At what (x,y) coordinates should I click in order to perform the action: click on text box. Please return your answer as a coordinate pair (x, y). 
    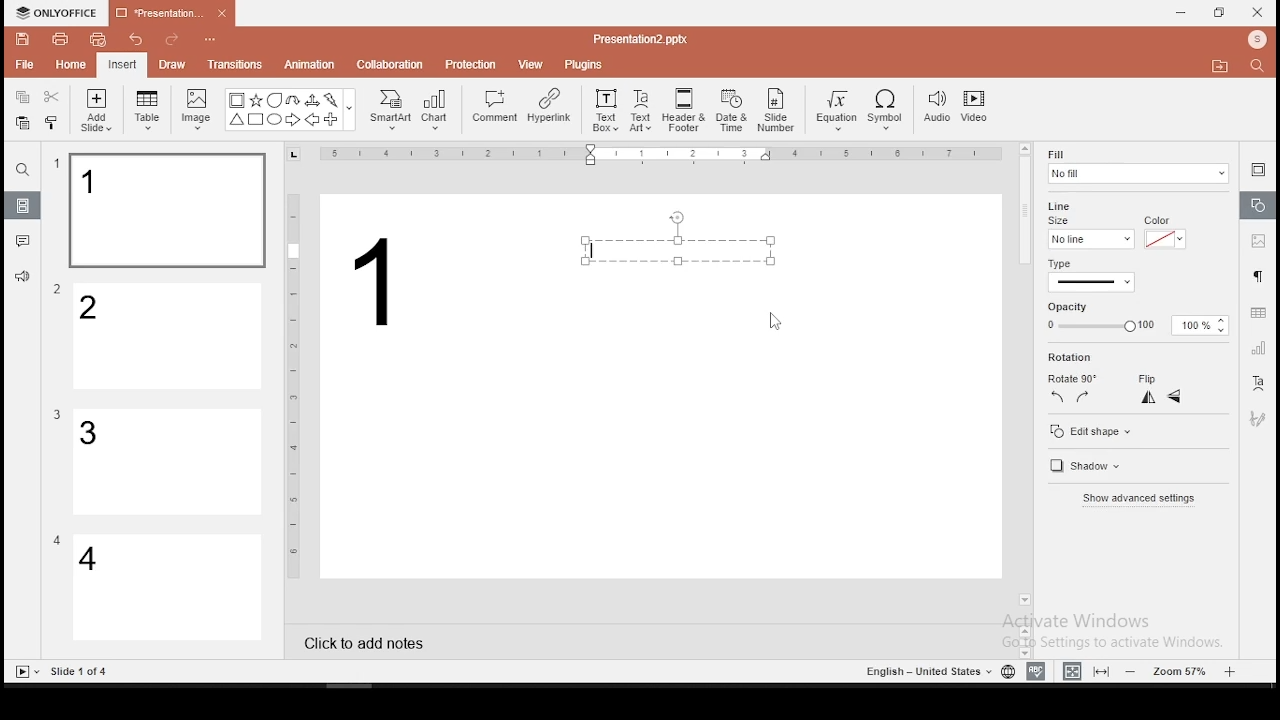
    Looking at the image, I should click on (680, 248).